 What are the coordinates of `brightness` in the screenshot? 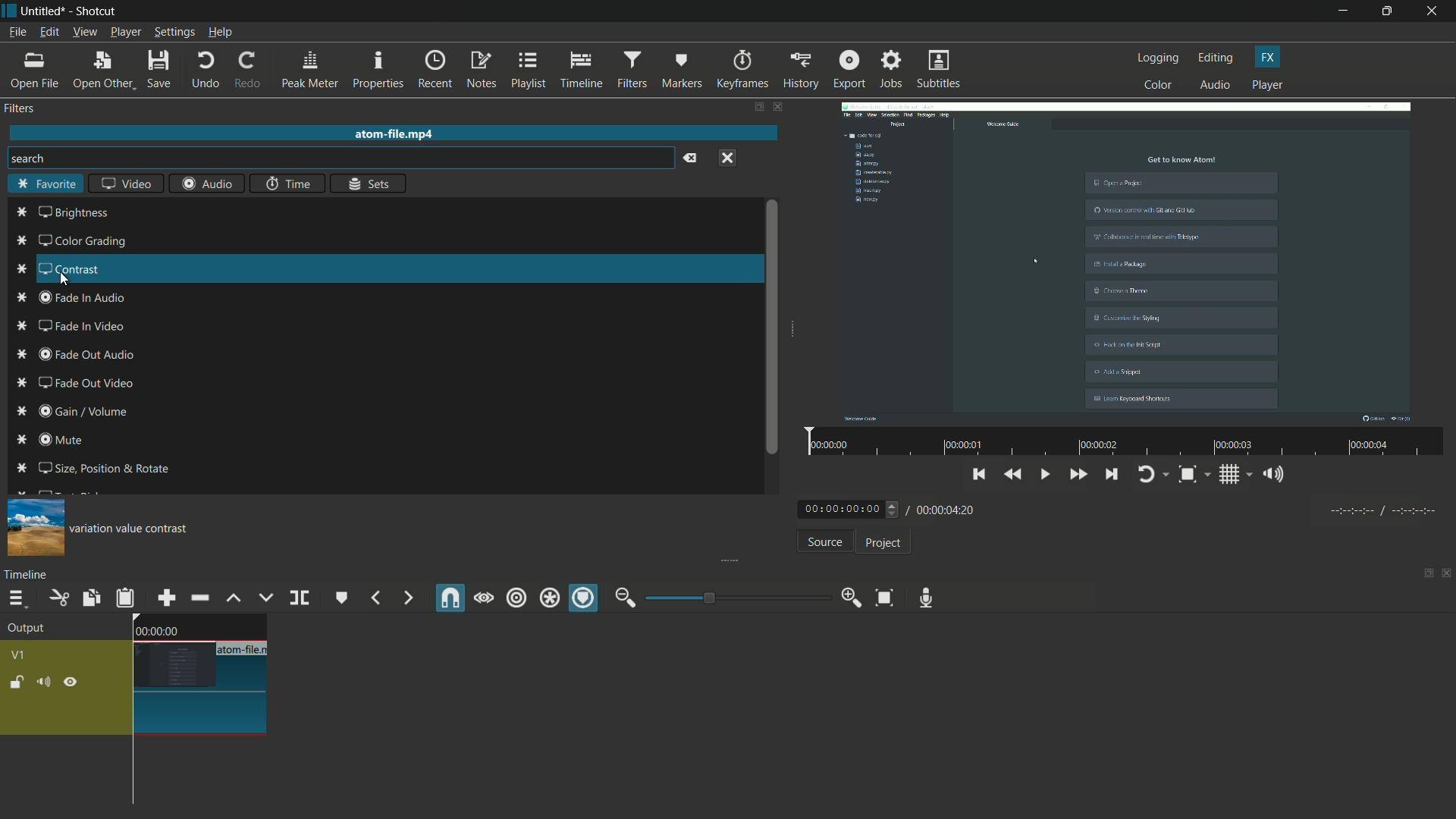 It's located at (62, 213).